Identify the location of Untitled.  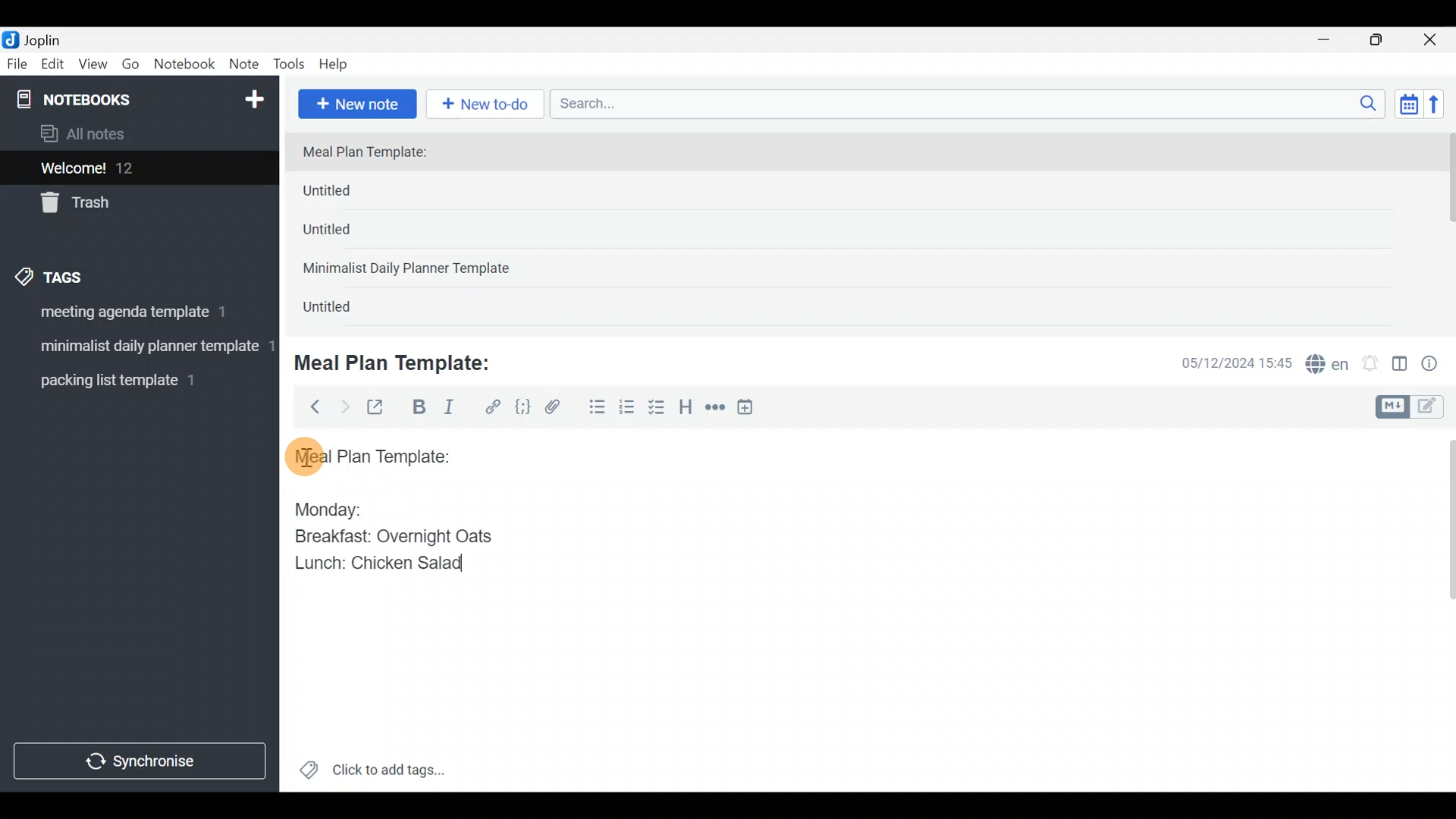
(344, 310).